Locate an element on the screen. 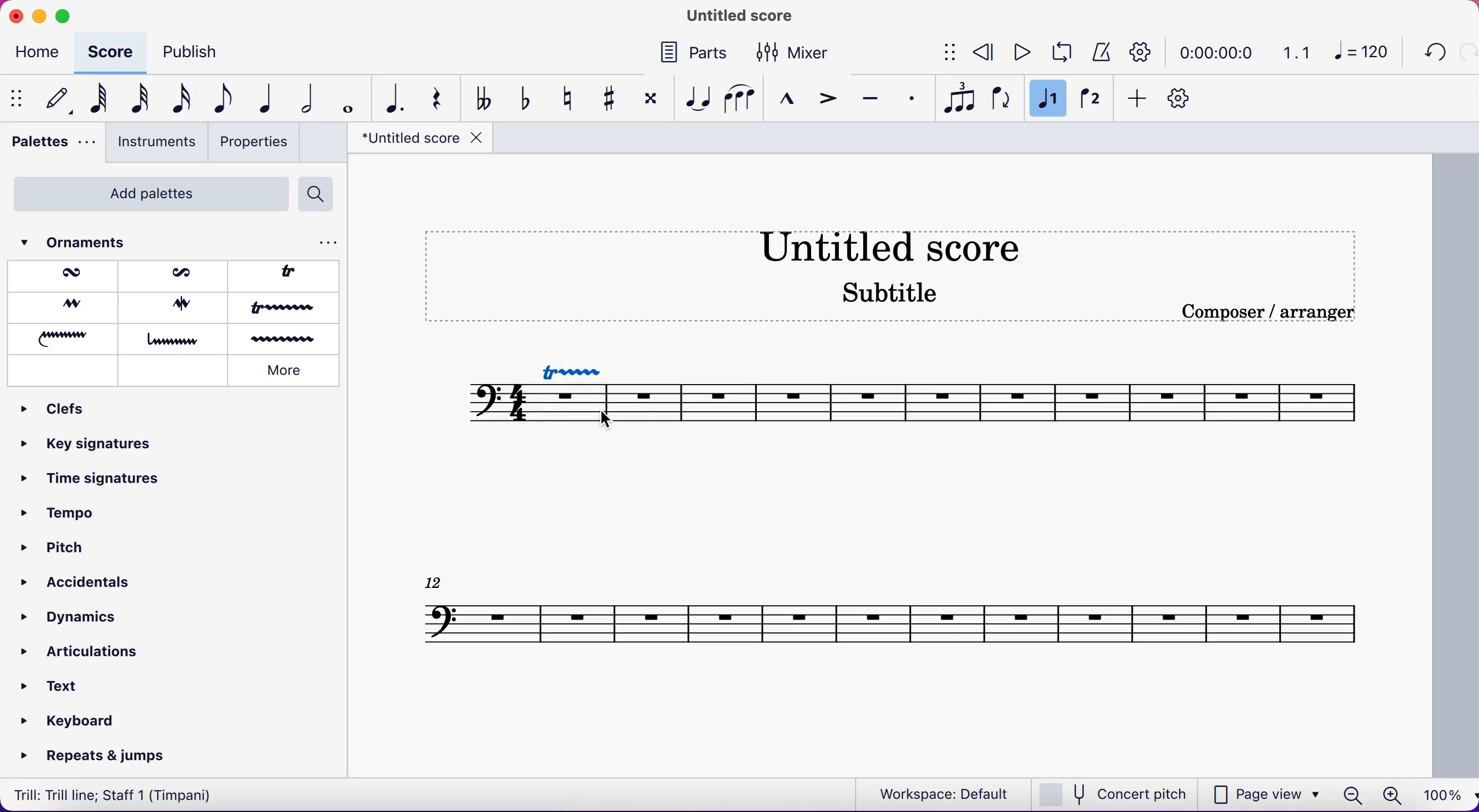 Image resolution: width=1479 pixels, height=812 pixels. mordent is located at coordinates (67, 276).